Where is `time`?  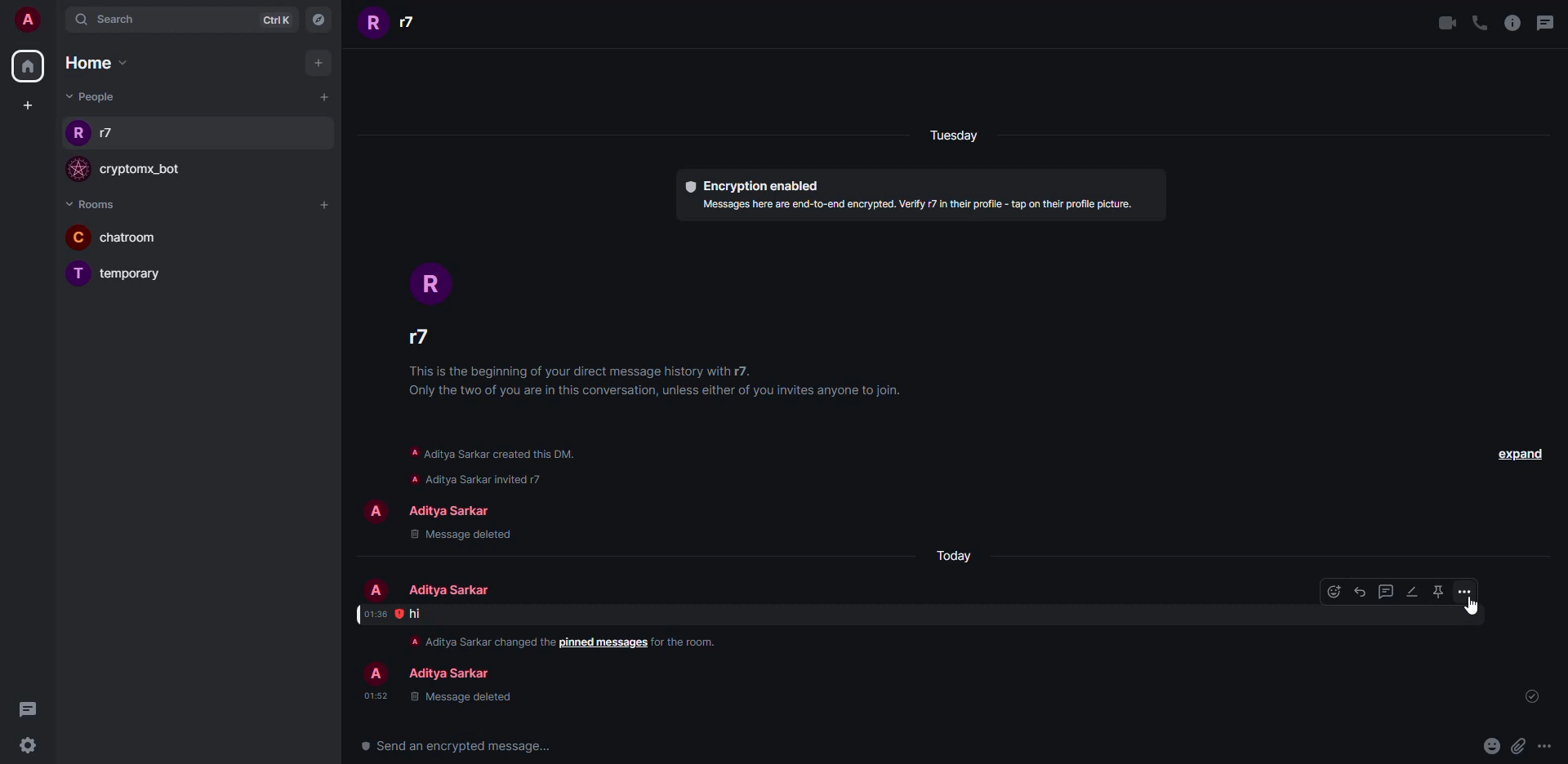 time is located at coordinates (376, 695).